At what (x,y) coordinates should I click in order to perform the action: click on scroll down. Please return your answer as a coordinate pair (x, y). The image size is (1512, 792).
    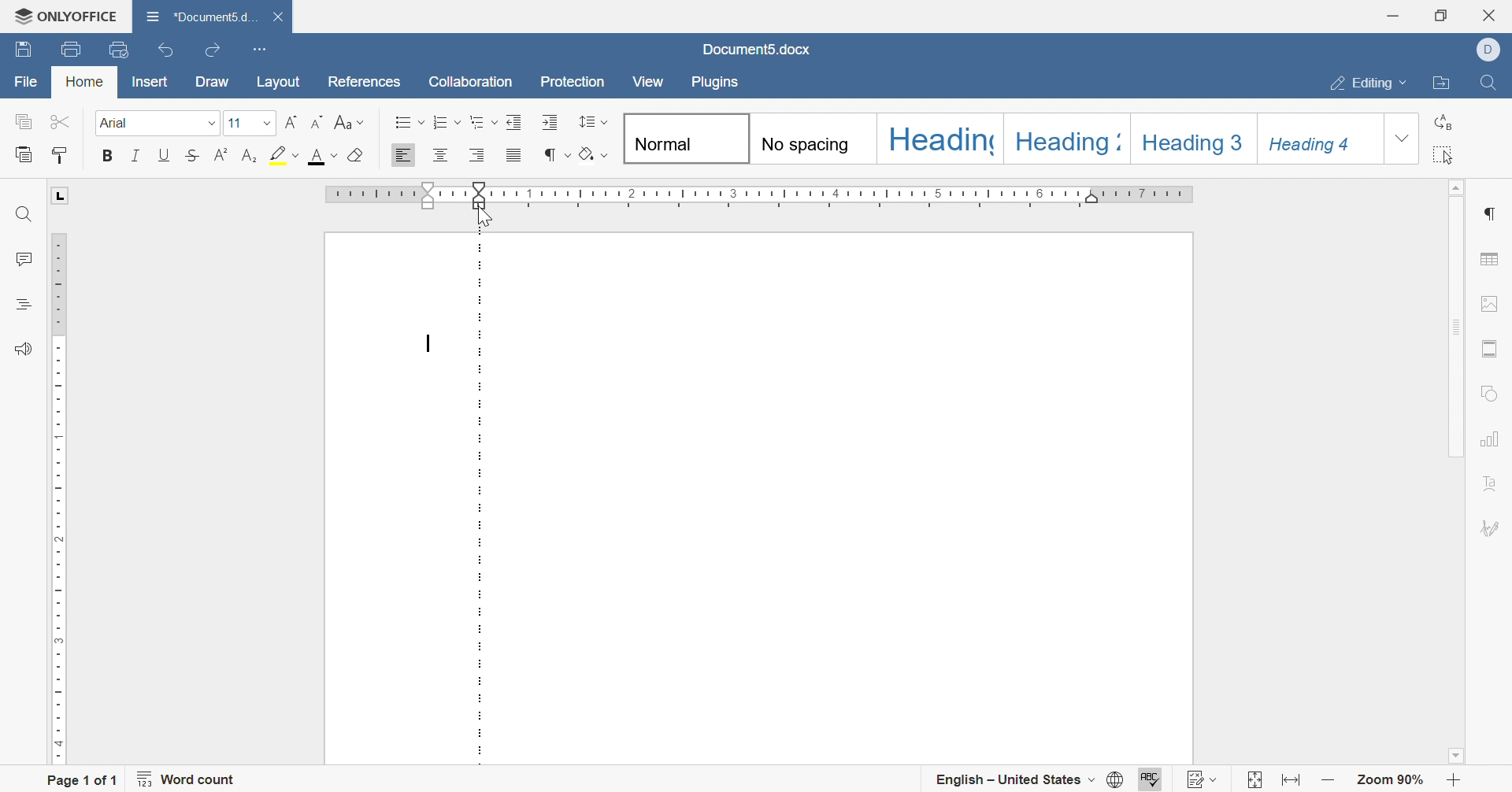
    Looking at the image, I should click on (1454, 756).